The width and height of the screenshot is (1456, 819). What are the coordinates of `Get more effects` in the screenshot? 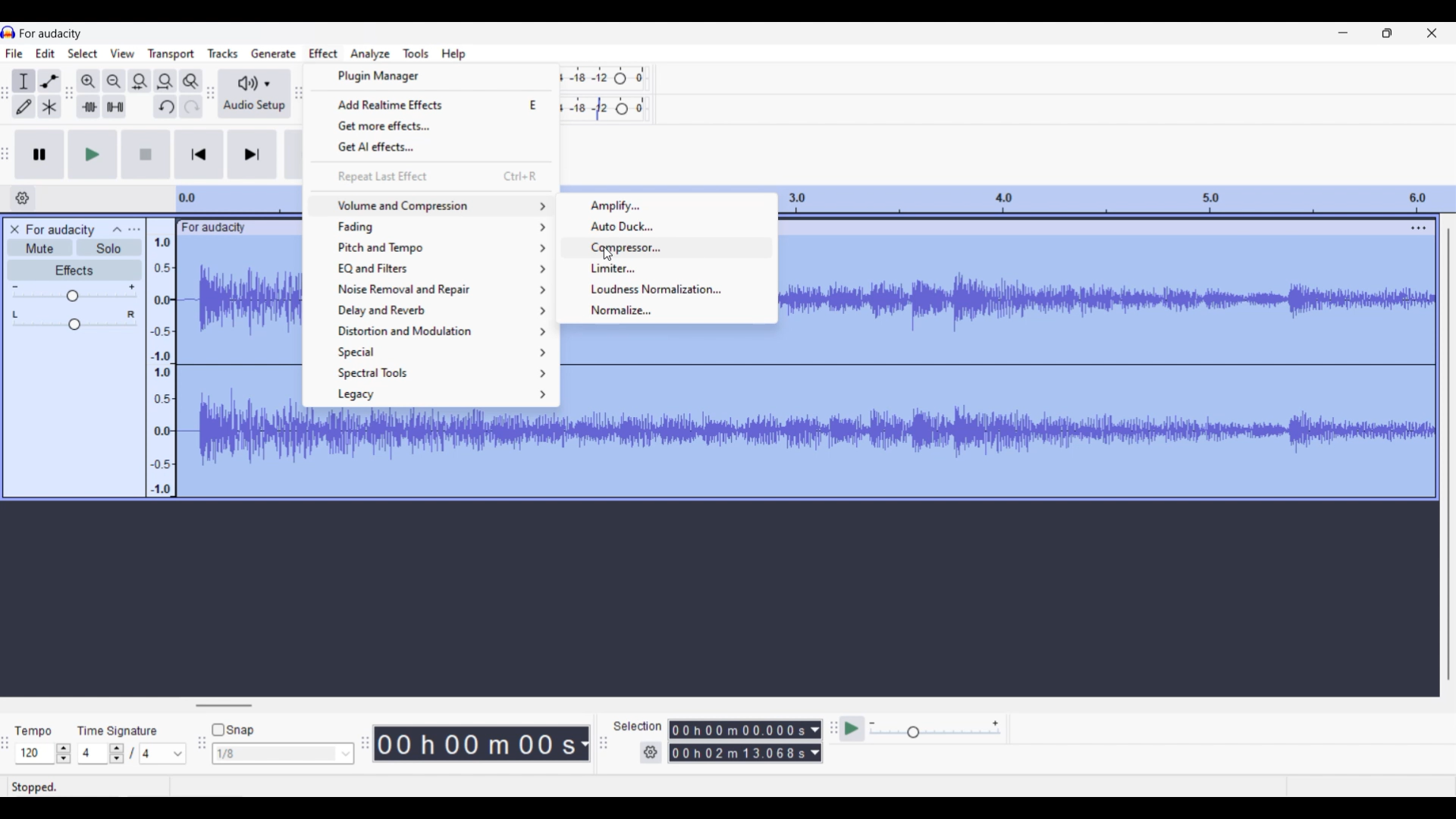 It's located at (433, 126).